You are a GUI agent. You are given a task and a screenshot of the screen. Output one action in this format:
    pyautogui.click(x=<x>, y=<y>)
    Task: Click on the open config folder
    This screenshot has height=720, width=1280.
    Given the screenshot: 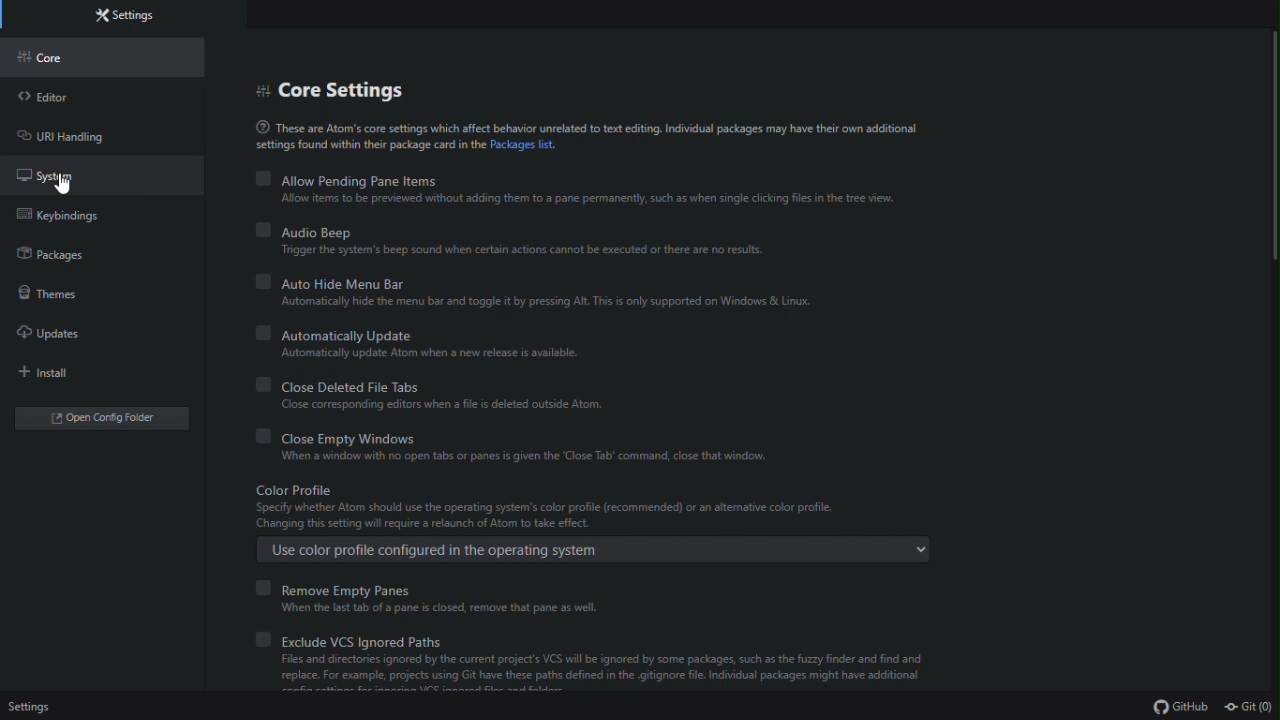 What is the action you would take?
    pyautogui.click(x=99, y=415)
    